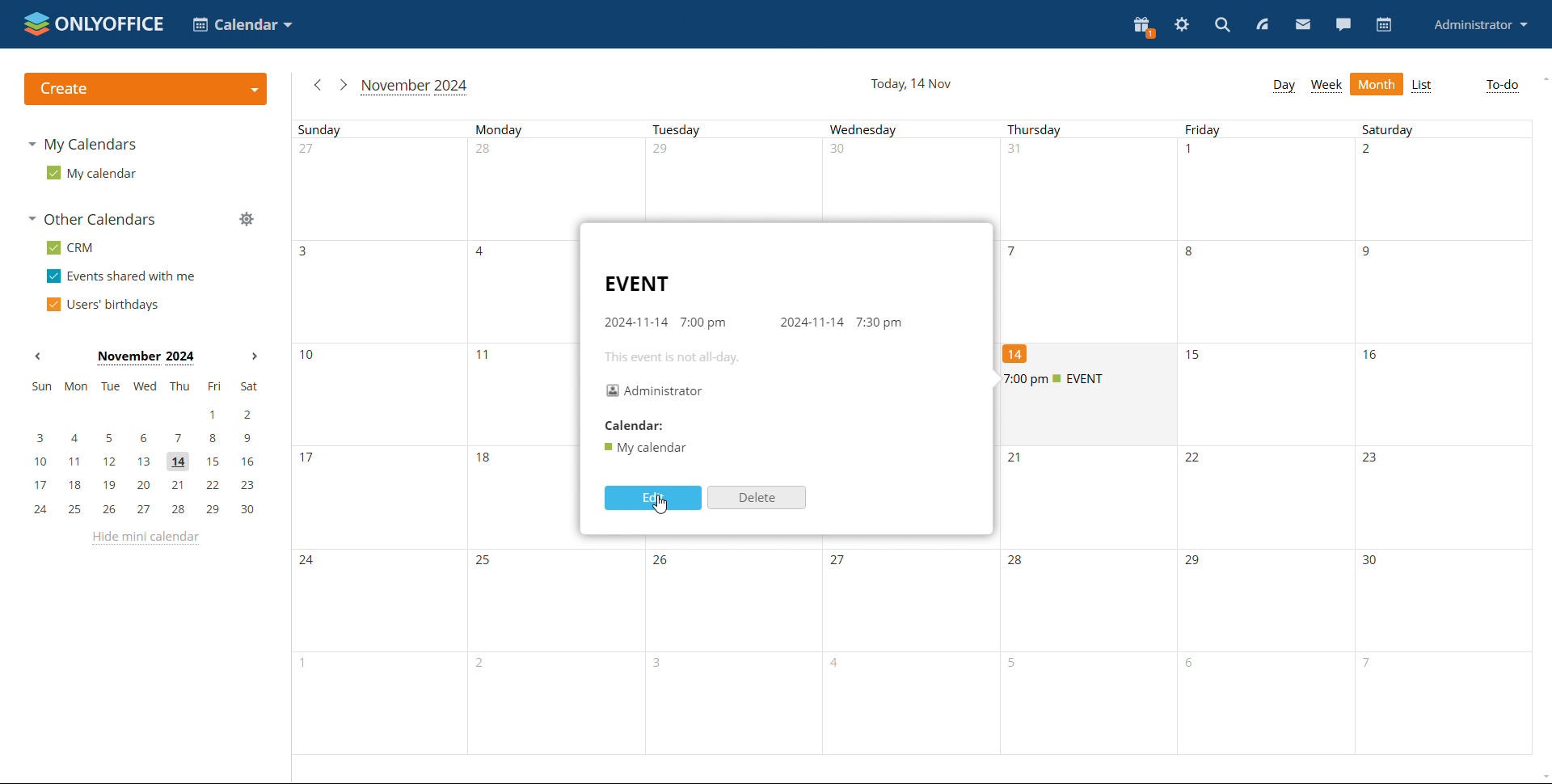  I want to click on number, so click(1372, 356).